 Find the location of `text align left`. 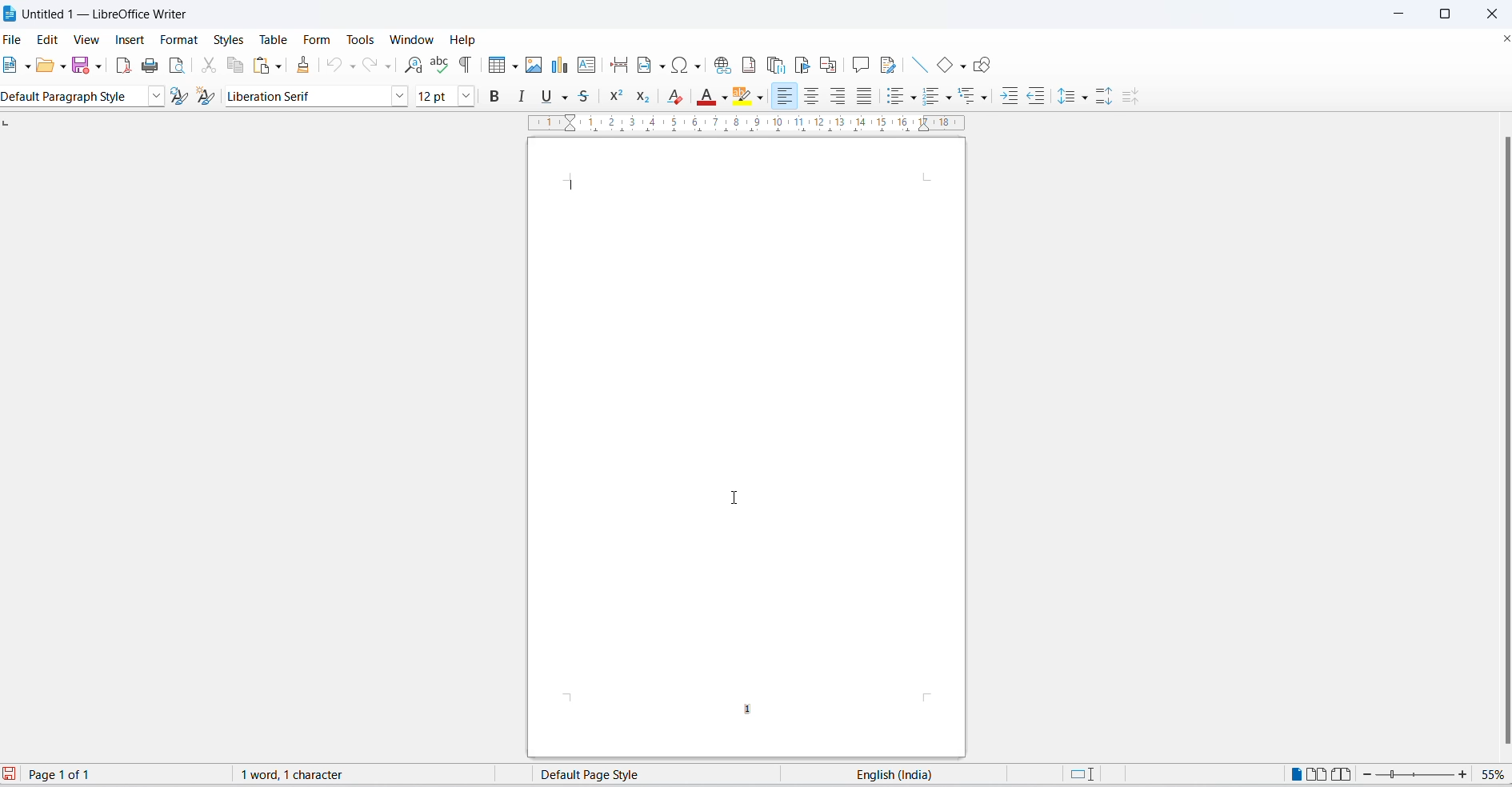

text align left is located at coordinates (785, 98).